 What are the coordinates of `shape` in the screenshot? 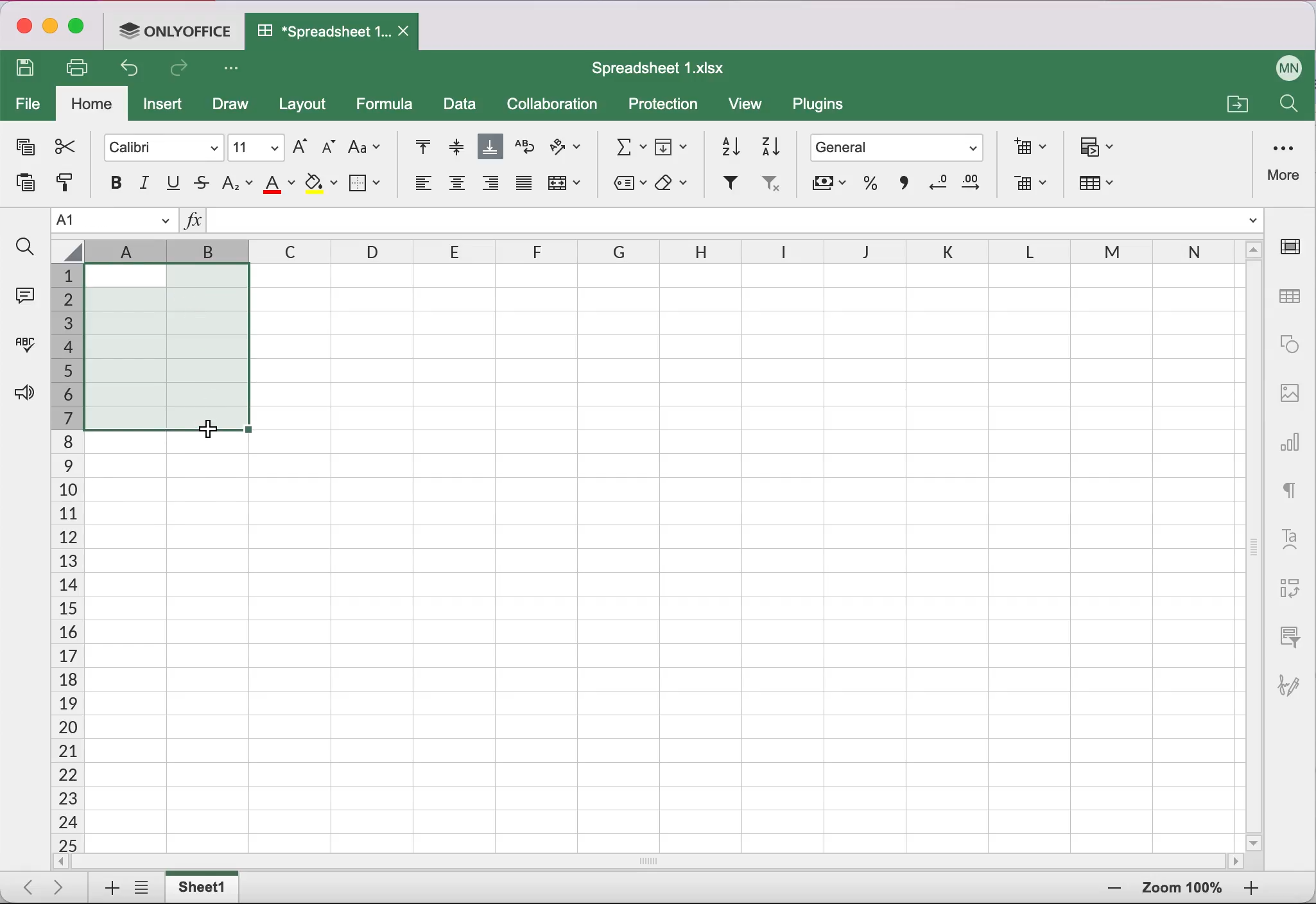 It's located at (1290, 344).